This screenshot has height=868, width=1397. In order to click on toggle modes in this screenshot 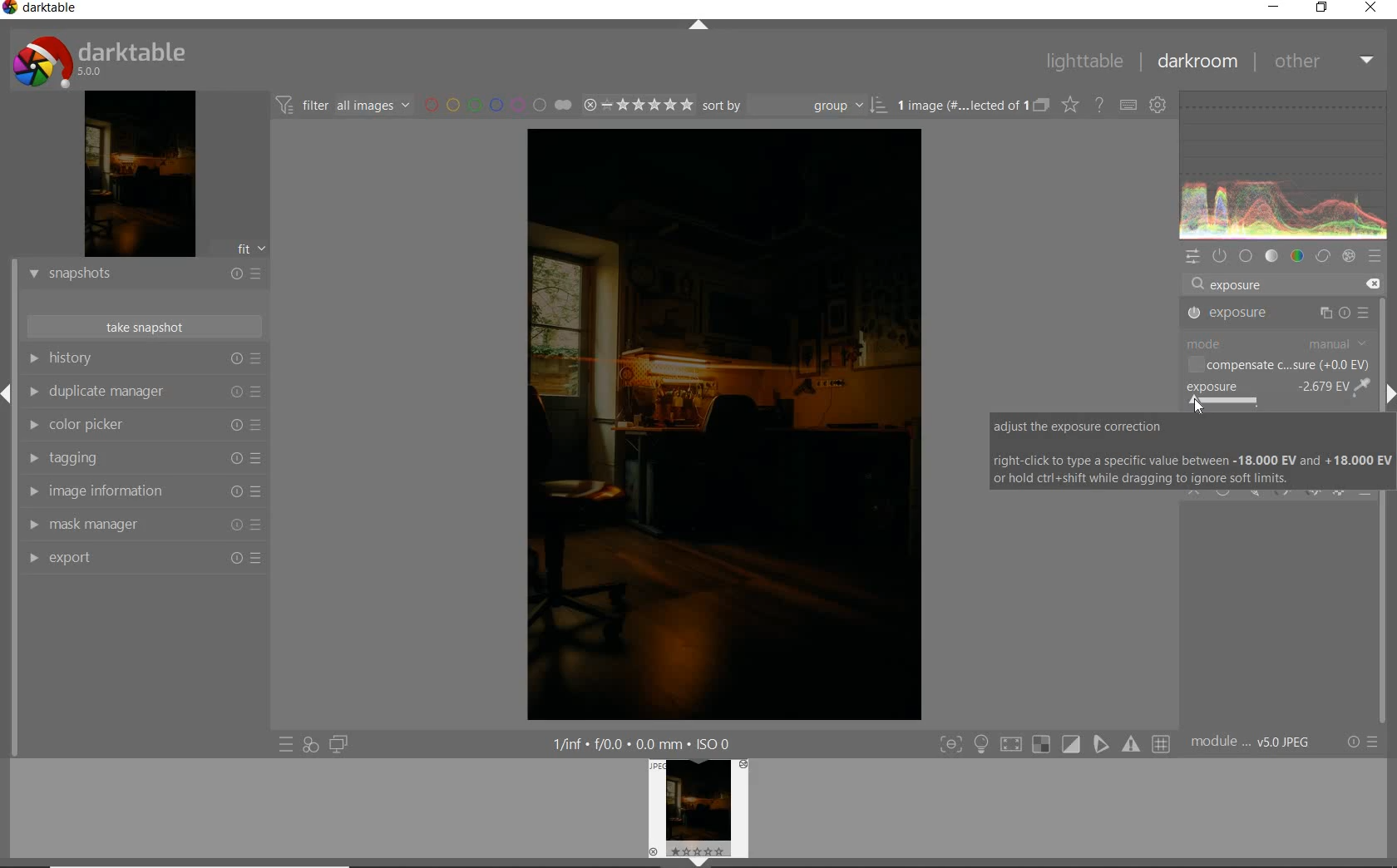, I will do `click(1055, 742)`.